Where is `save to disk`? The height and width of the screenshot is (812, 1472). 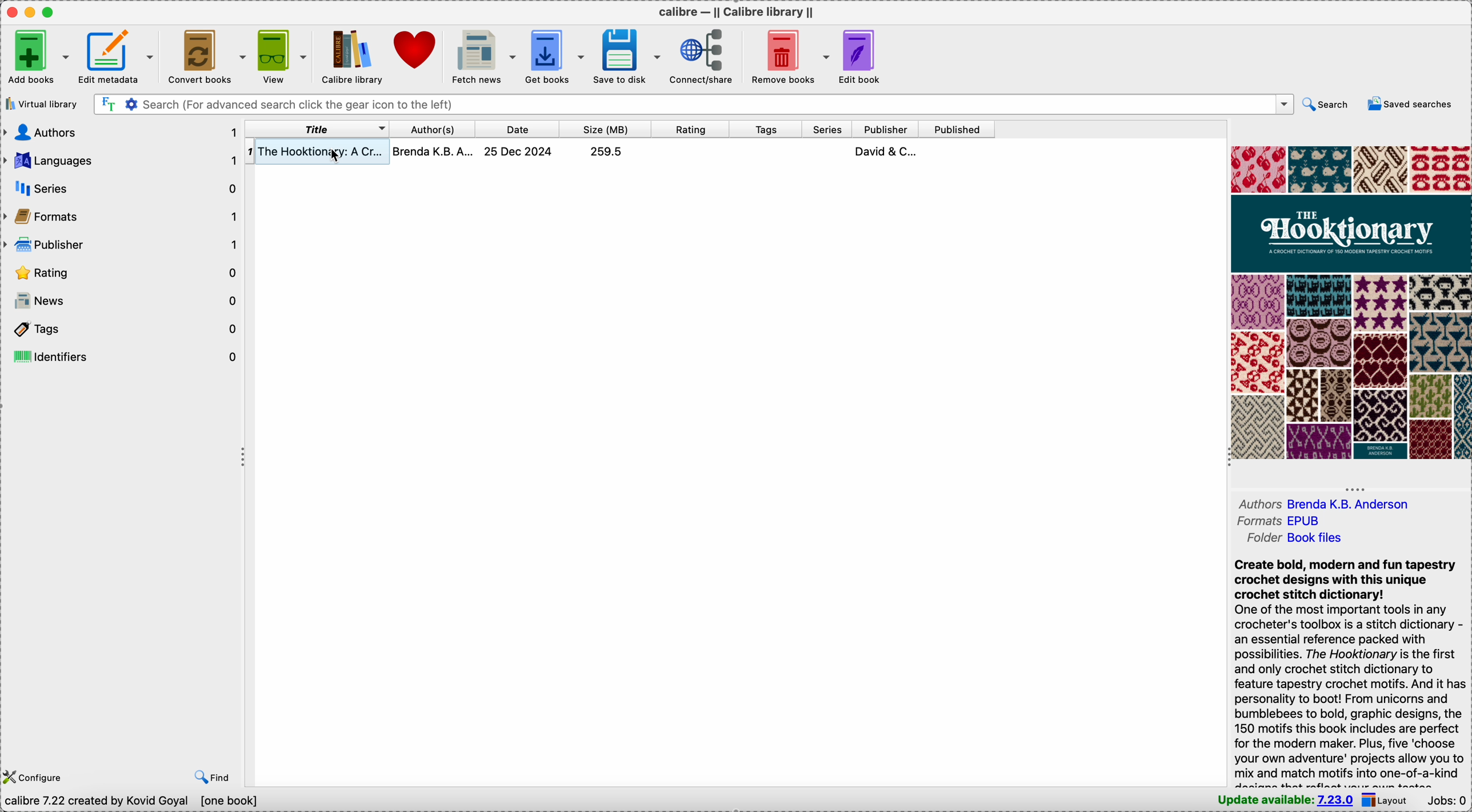 save to disk is located at coordinates (627, 55).